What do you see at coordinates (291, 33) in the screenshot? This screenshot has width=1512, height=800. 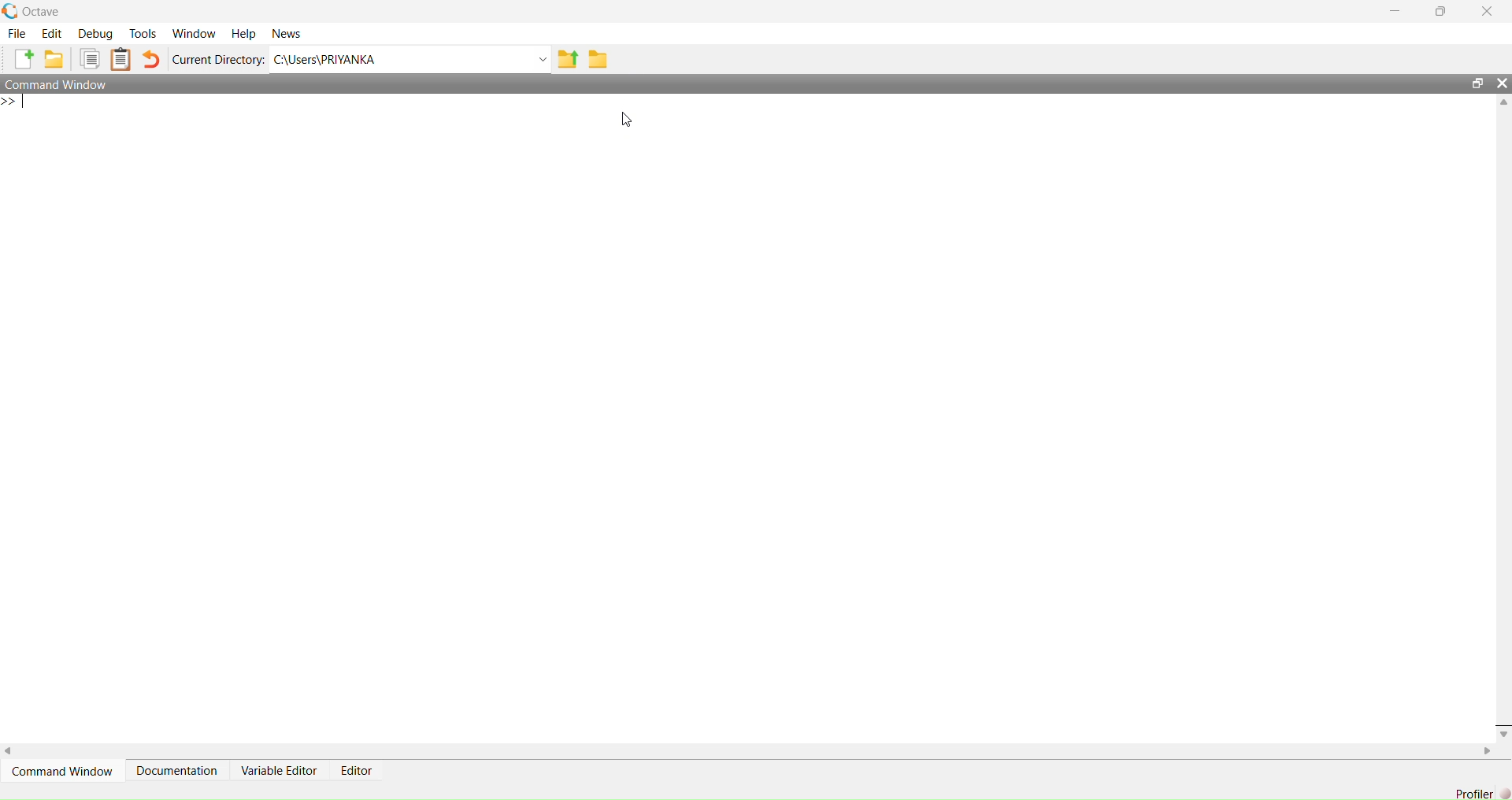 I see `News` at bounding box center [291, 33].